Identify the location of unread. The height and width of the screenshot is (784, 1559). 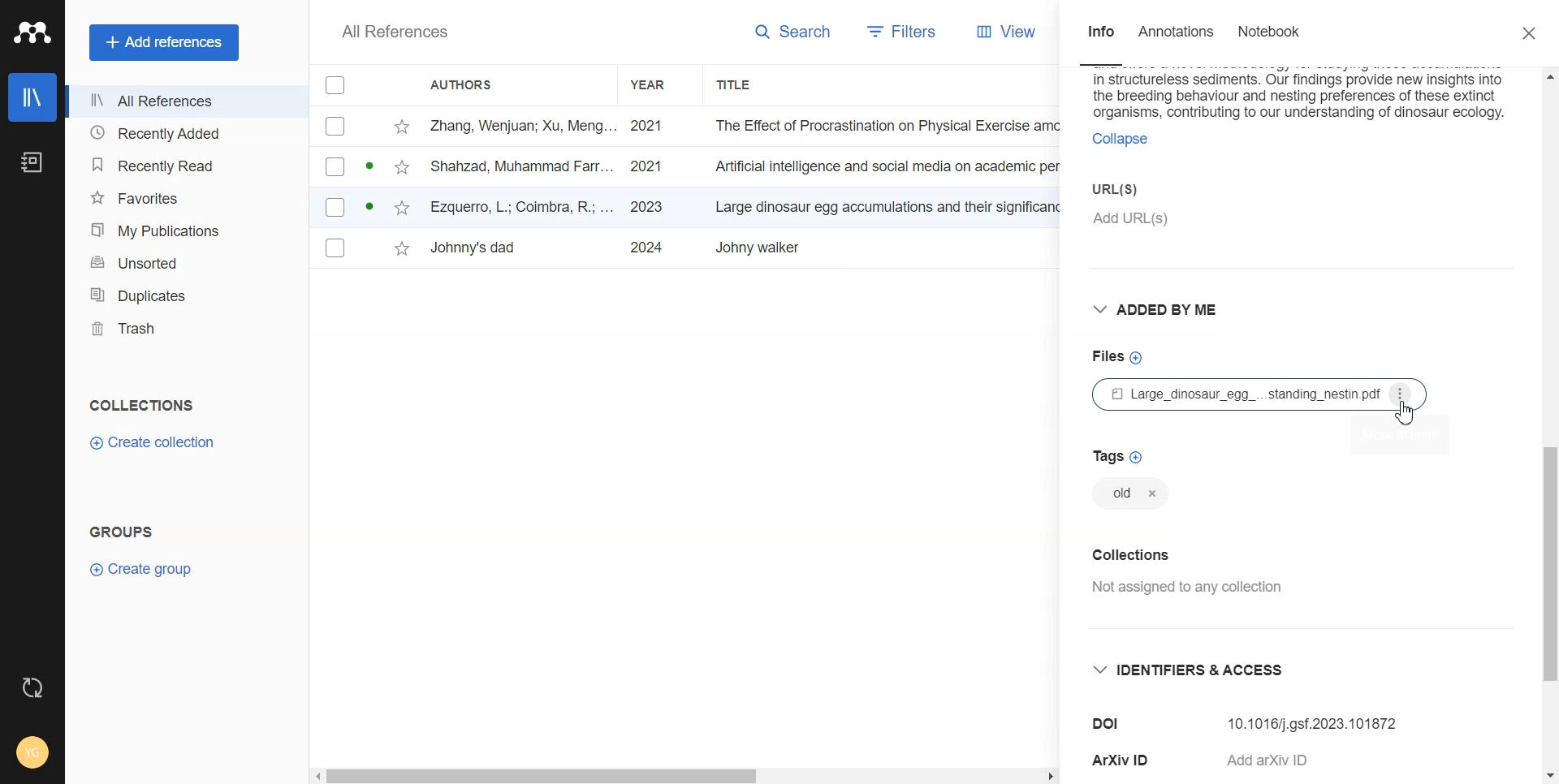
(368, 205).